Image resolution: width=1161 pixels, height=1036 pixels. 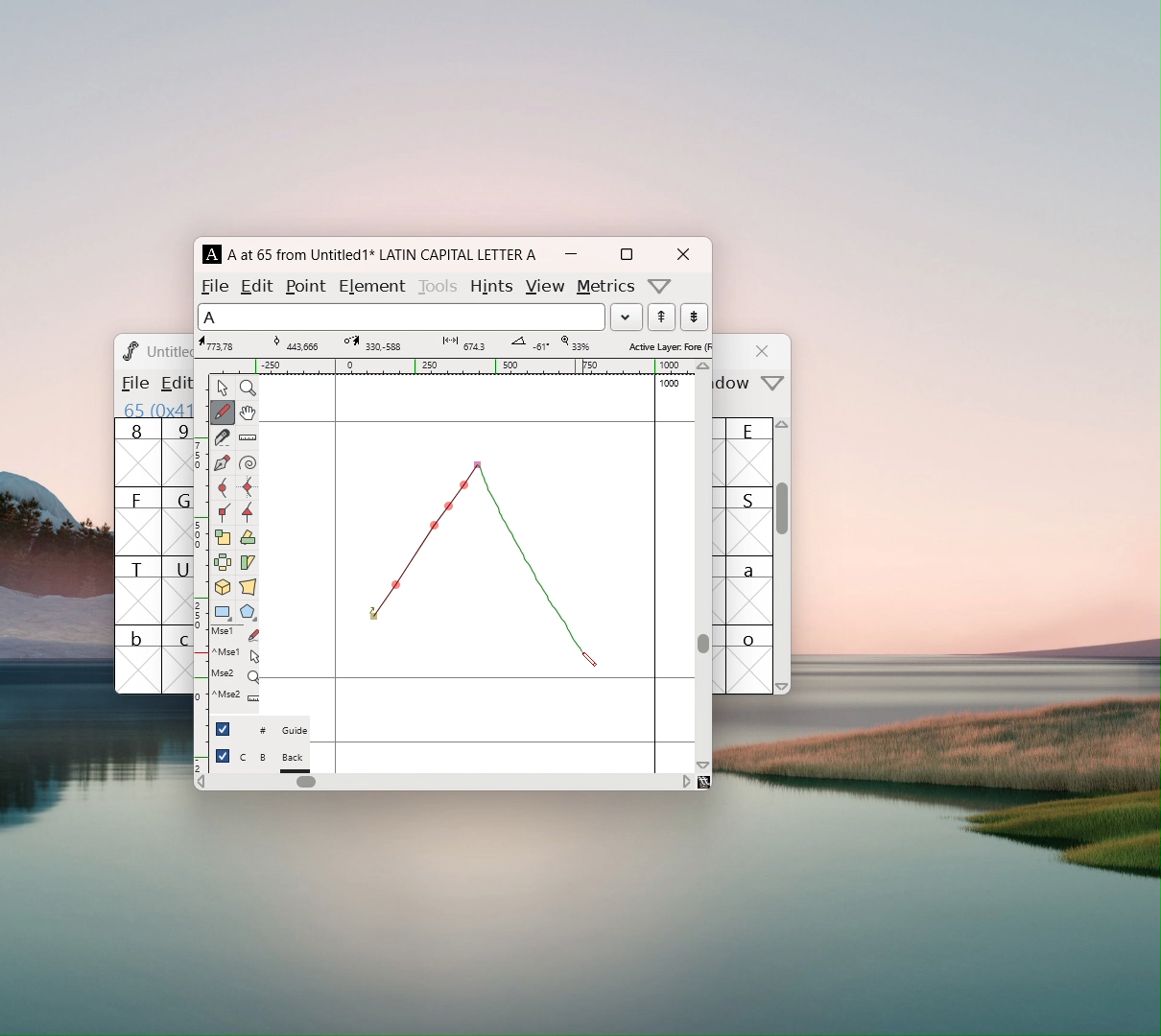 I want to click on load word list, so click(x=626, y=317).